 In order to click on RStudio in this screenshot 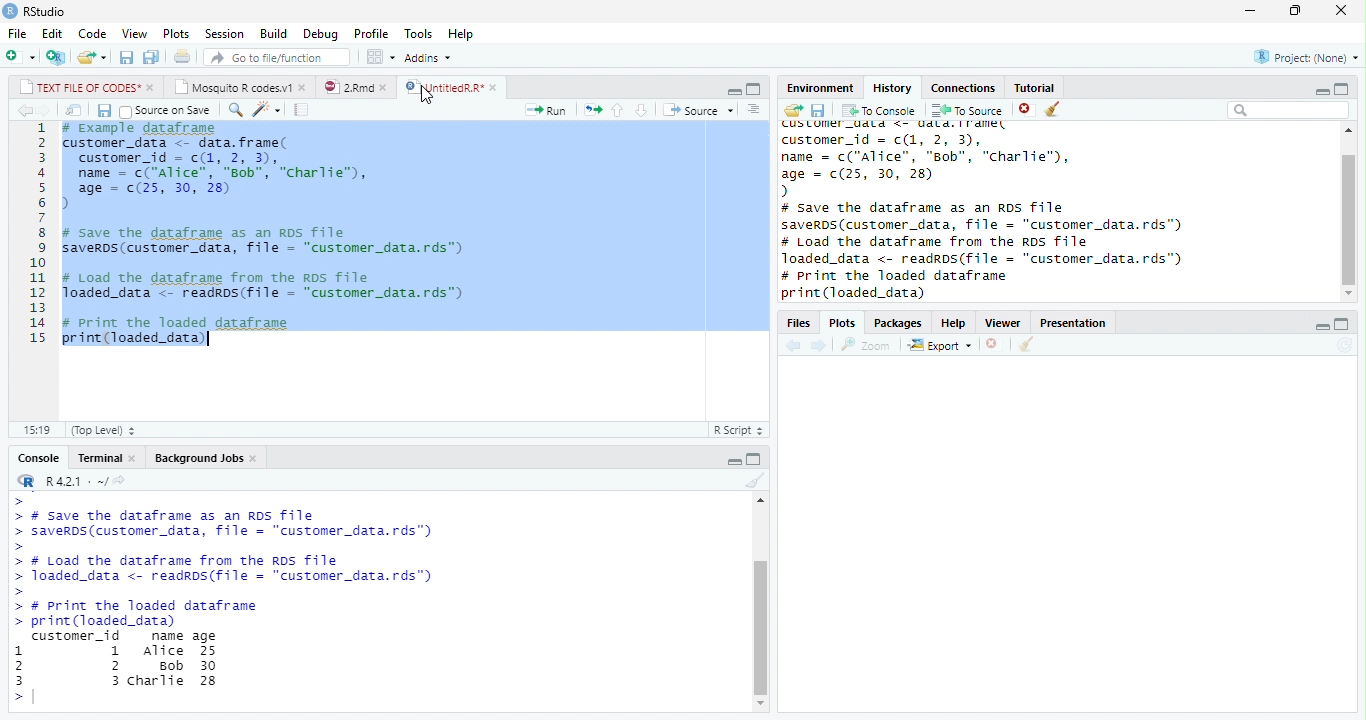, I will do `click(46, 12)`.